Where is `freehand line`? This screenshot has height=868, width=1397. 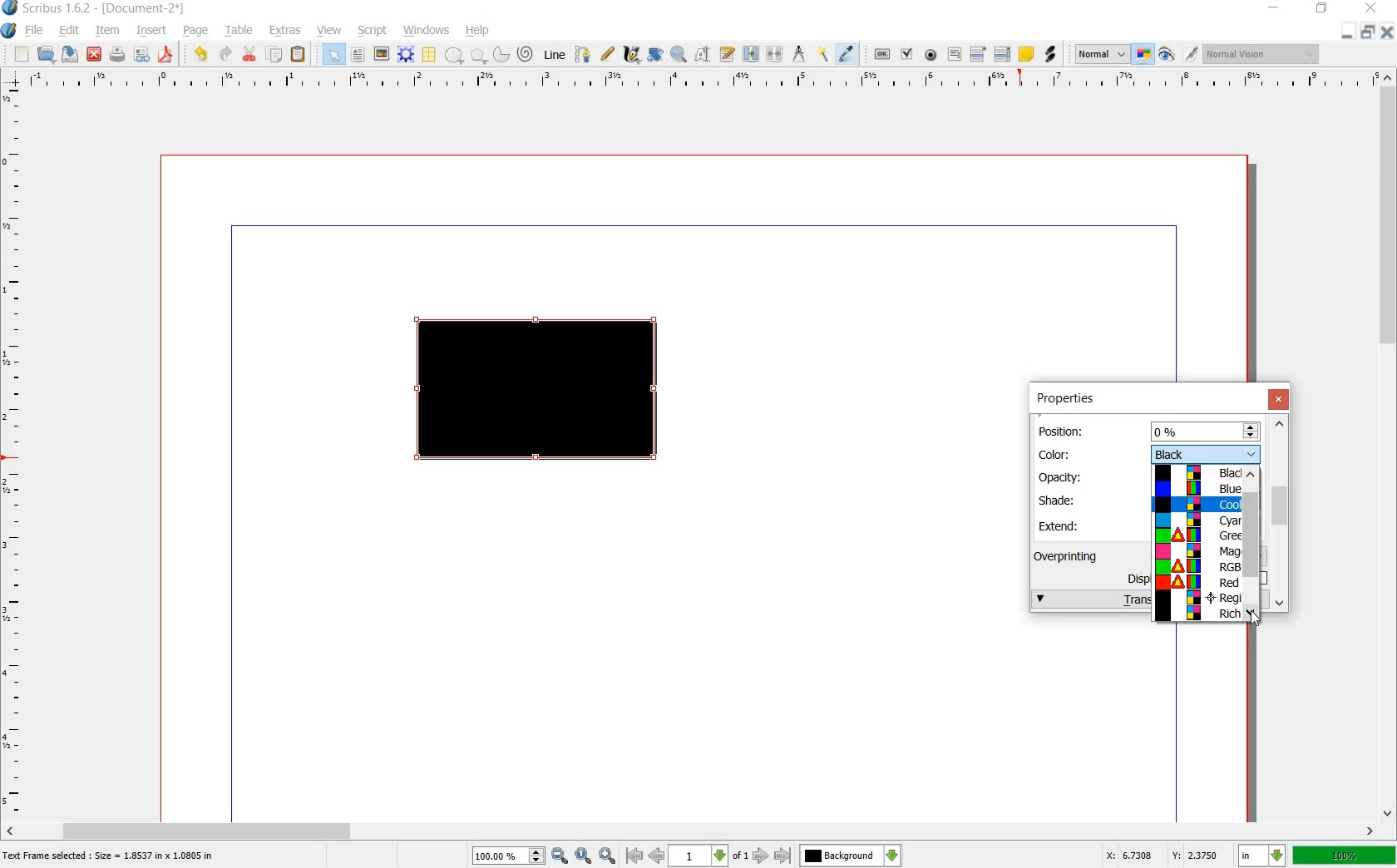
freehand line is located at coordinates (607, 53).